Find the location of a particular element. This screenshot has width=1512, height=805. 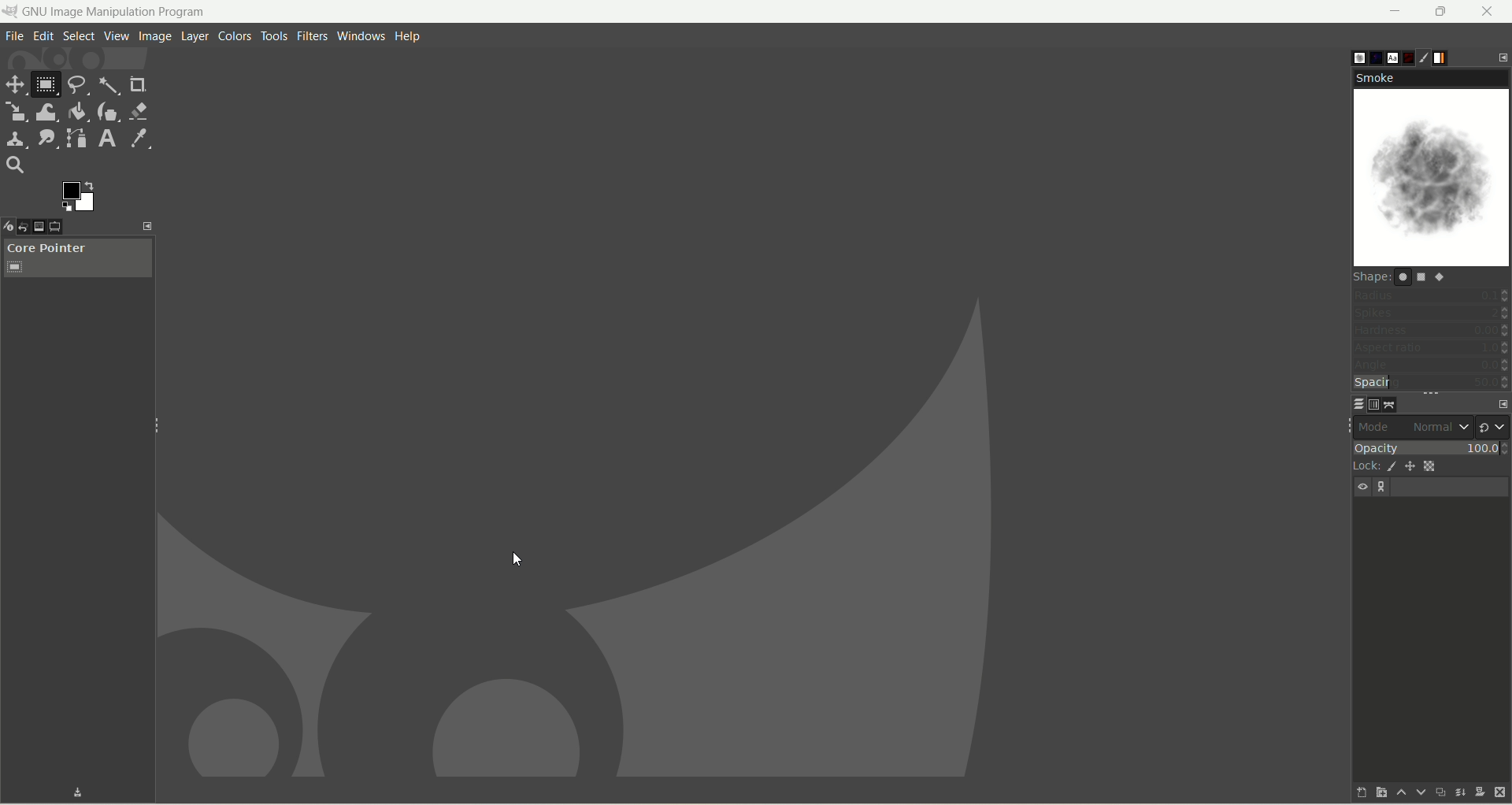

undo history is located at coordinates (28, 227).